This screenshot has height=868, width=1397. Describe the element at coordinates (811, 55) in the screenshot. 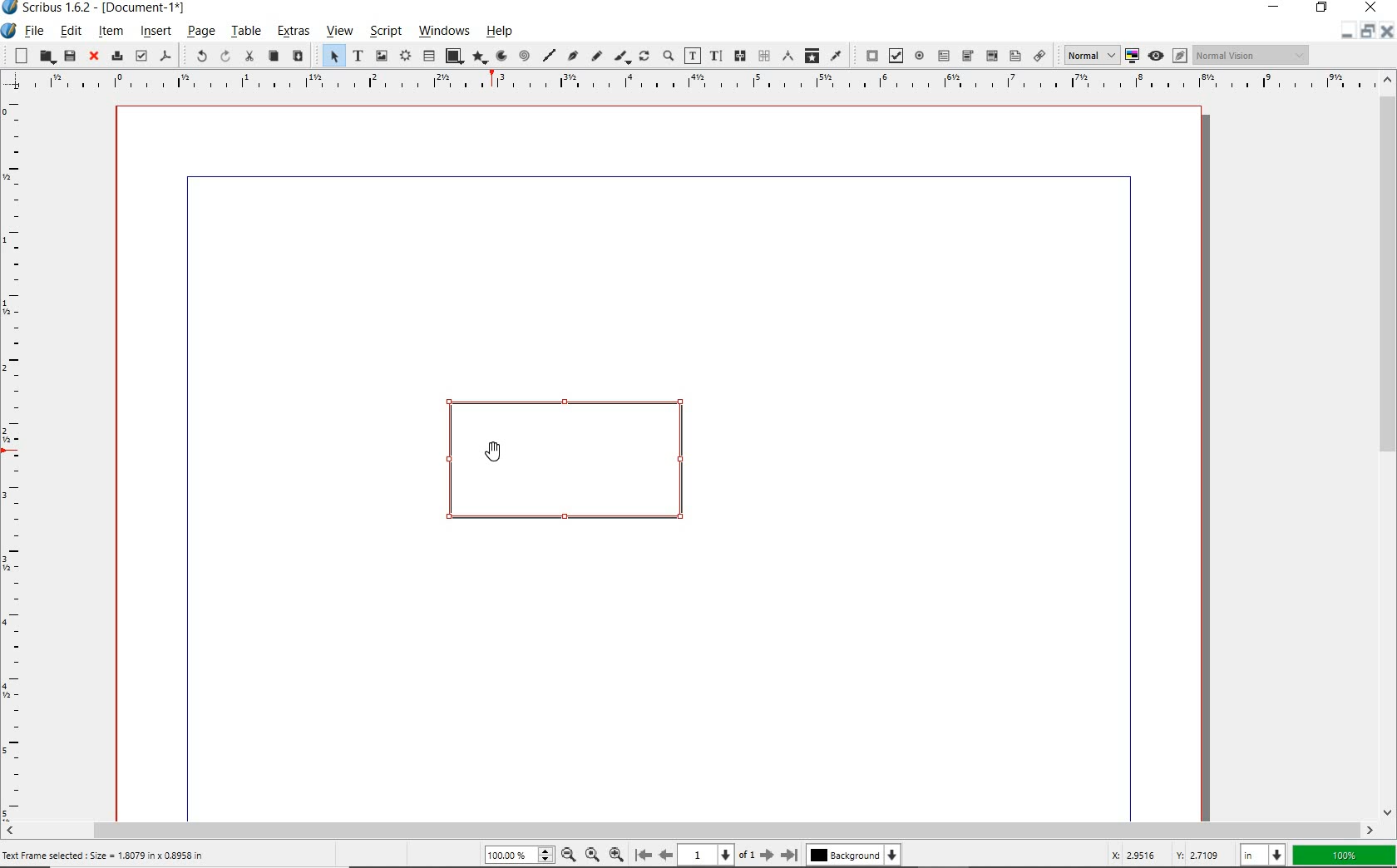

I see `copy item properties` at that location.